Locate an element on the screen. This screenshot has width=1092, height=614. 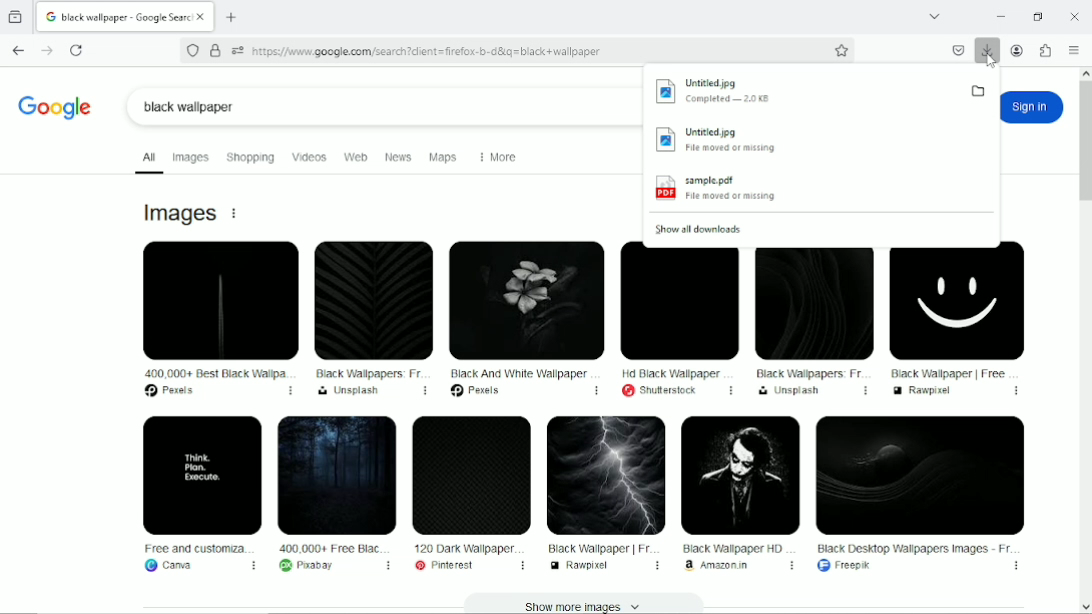
Black Wallpaper| Fr... is located at coordinates (603, 494).